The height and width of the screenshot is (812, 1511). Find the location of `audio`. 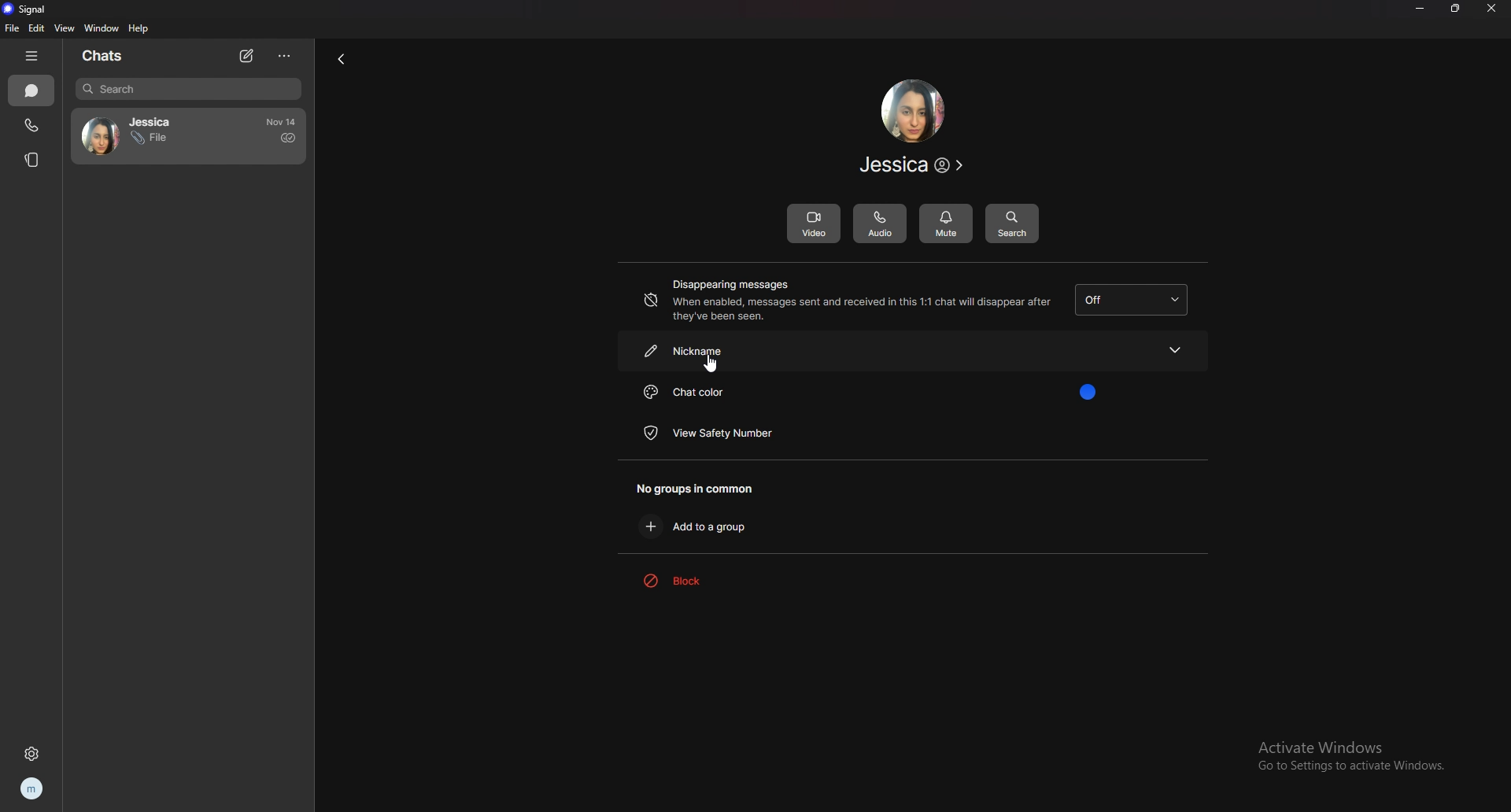

audio is located at coordinates (879, 224).